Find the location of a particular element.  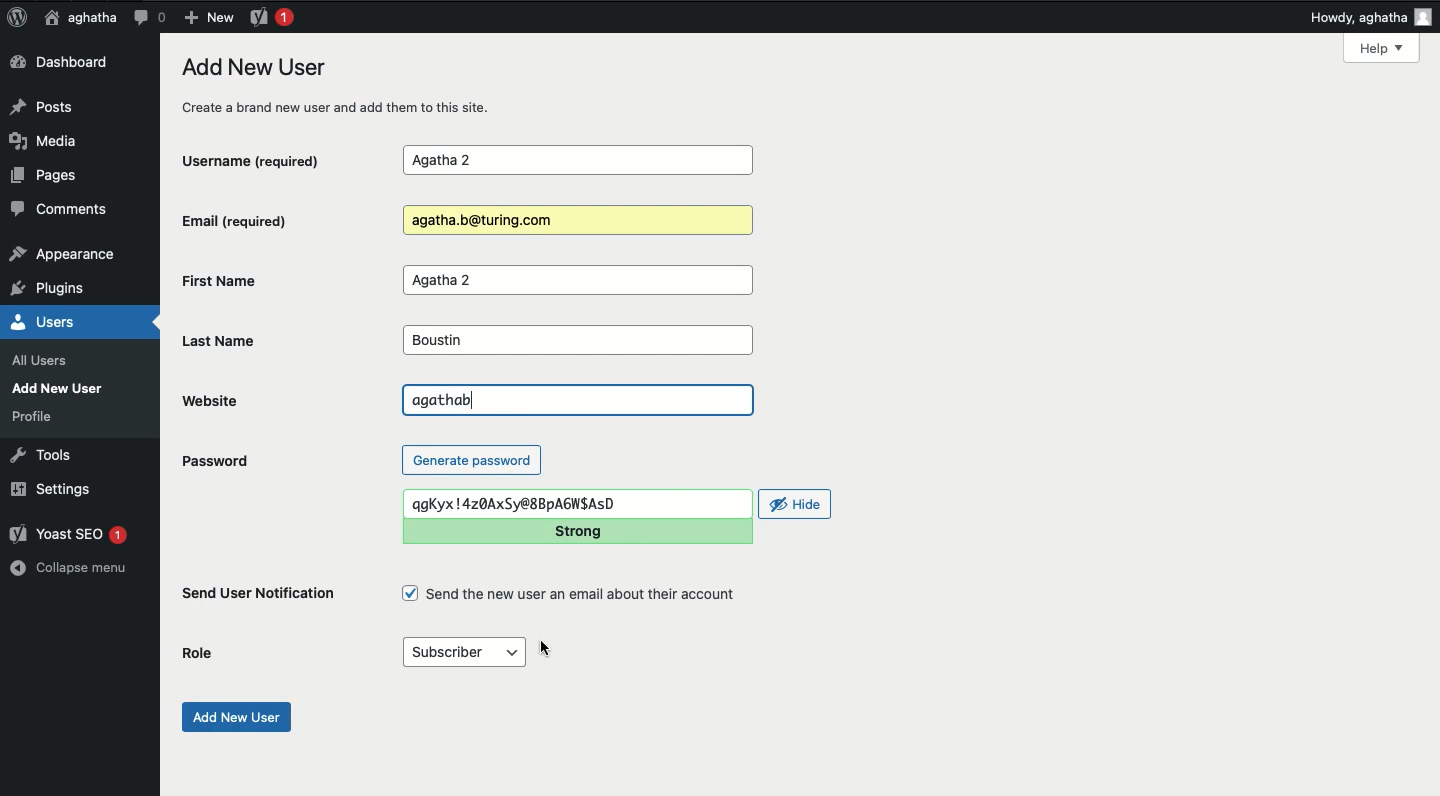

Boustin is located at coordinates (575, 341).